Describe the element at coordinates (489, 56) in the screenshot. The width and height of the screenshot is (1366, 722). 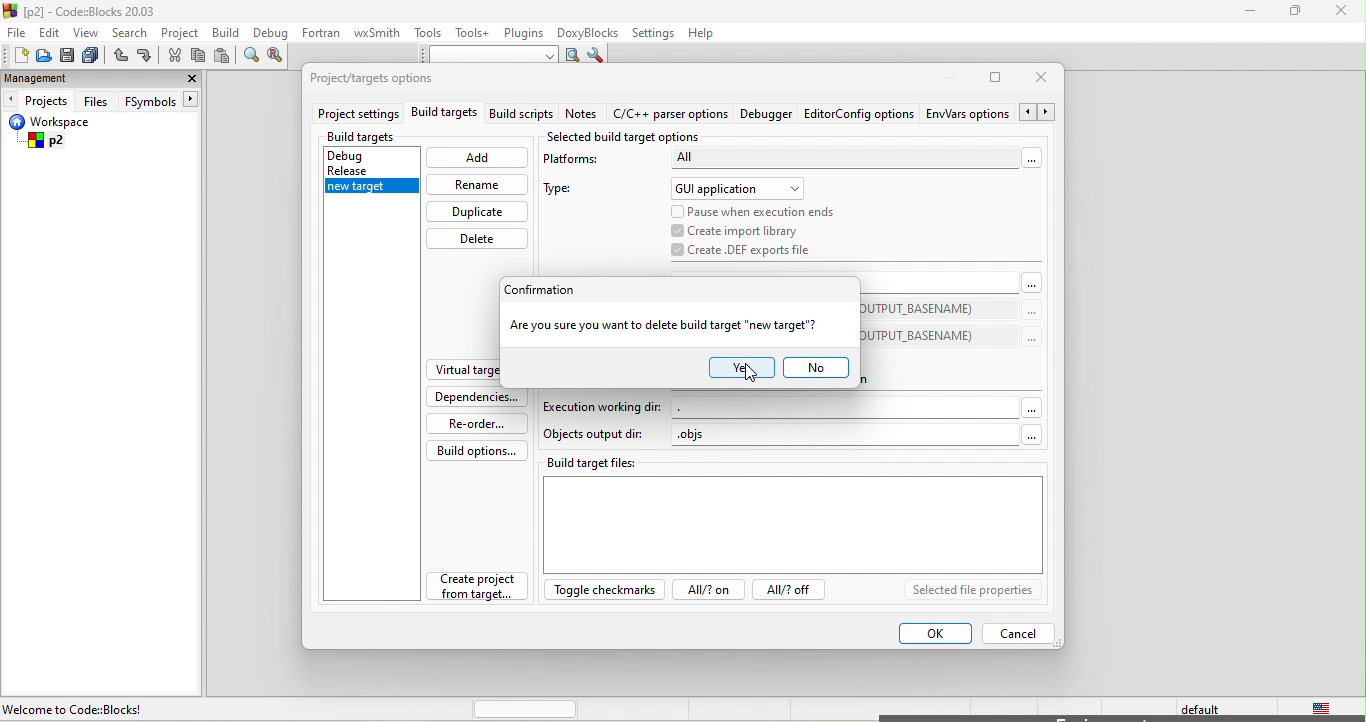
I see `text to search` at that location.